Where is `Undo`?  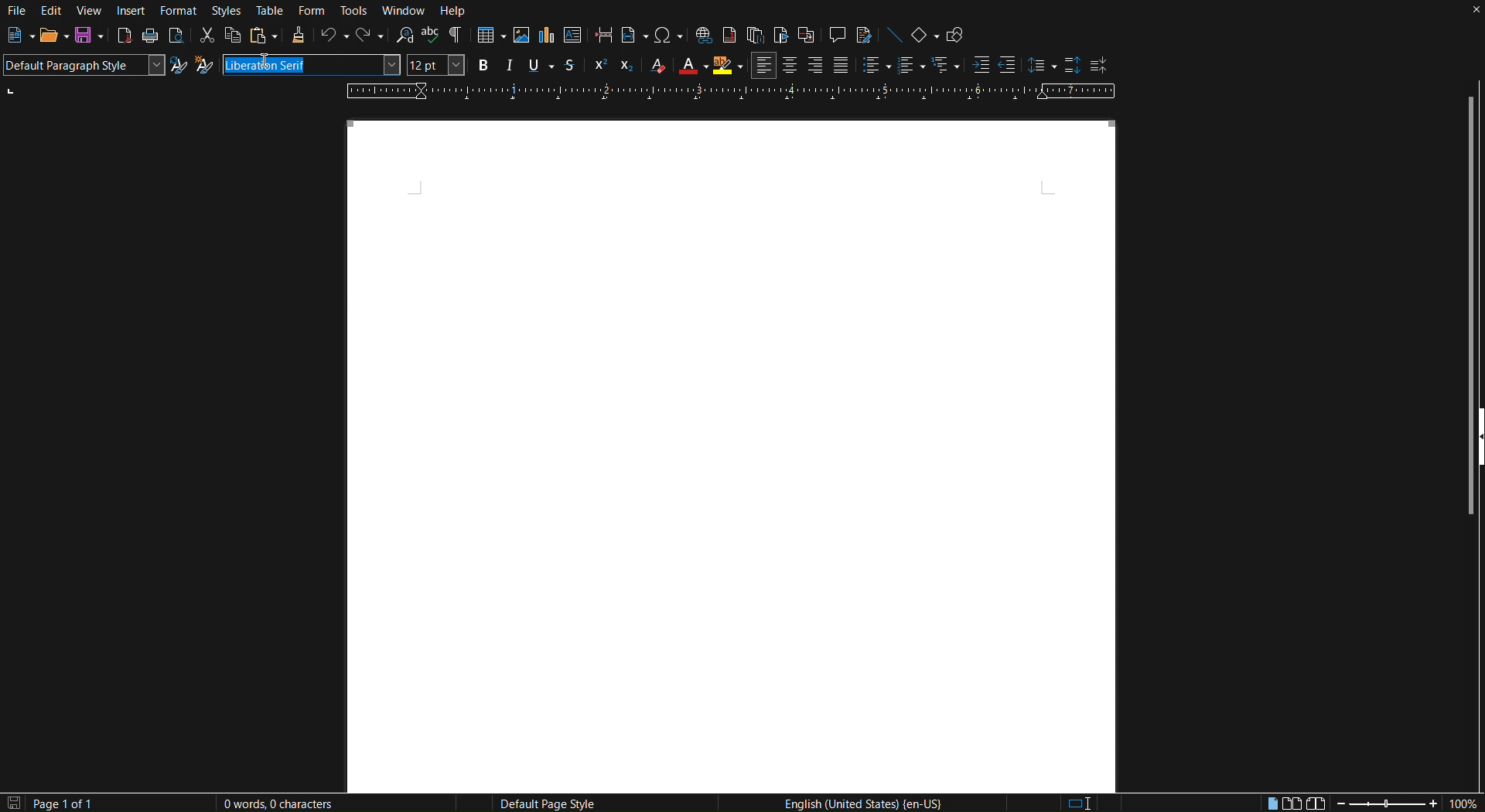 Undo is located at coordinates (332, 37).